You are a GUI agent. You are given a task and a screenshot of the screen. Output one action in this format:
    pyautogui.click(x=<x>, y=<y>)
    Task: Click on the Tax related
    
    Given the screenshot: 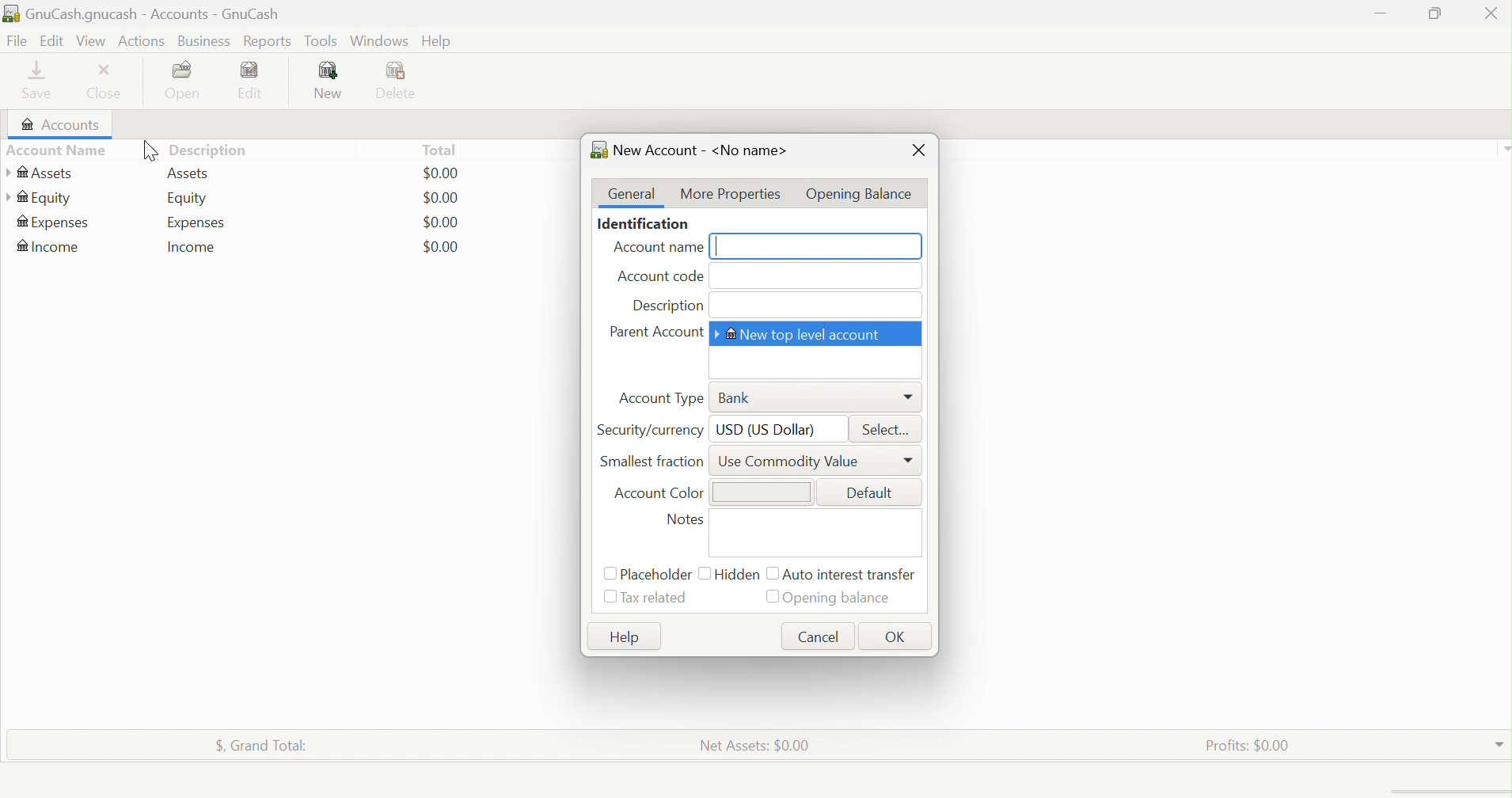 What is the action you would take?
    pyautogui.click(x=659, y=598)
    